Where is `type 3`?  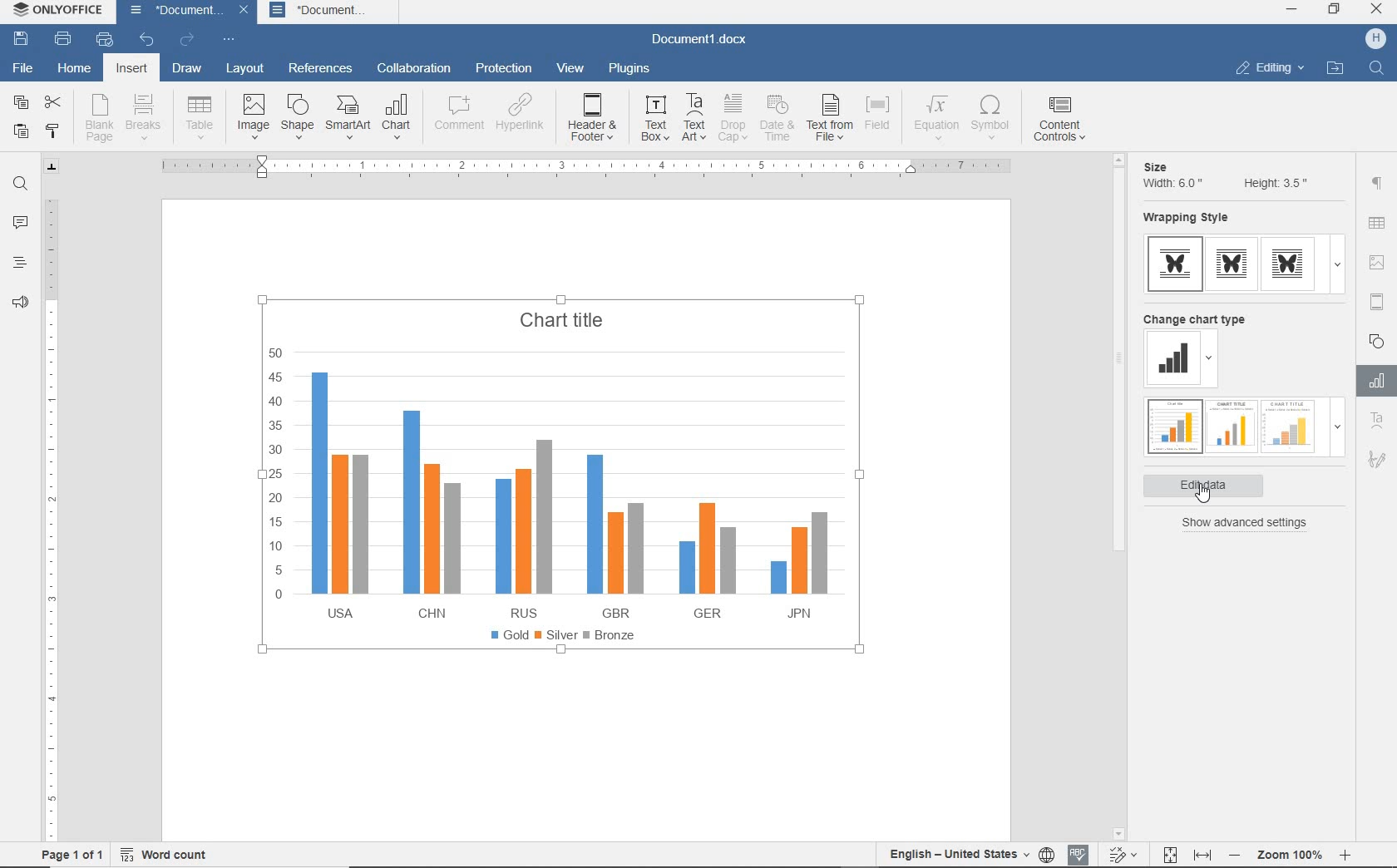 type 3 is located at coordinates (1289, 425).